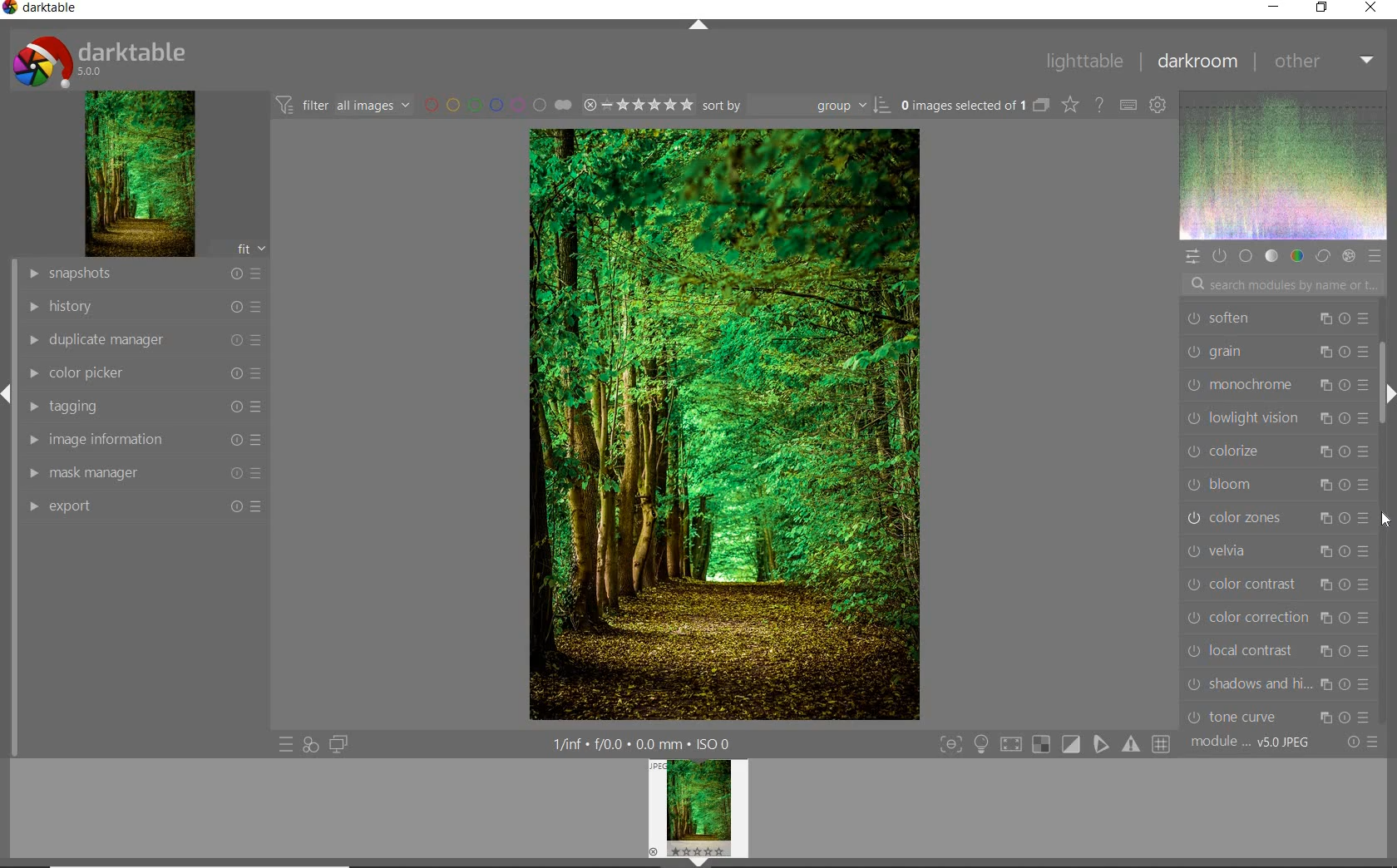 Image resolution: width=1397 pixels, height=868 pixels. Describe the element at coordinates (143, 338) in the screenshot. I see `DUPLICATE MANAGER` at that location.